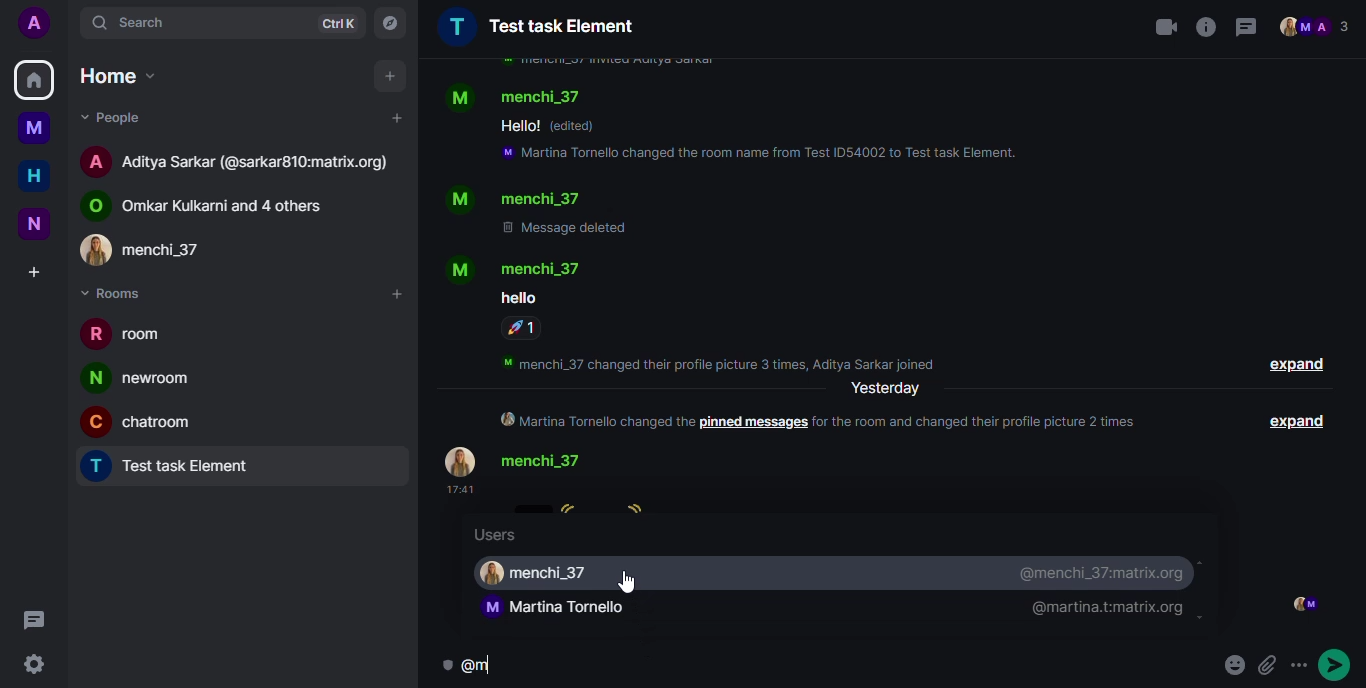  I want to click on explore rooms, so click(389, 22).